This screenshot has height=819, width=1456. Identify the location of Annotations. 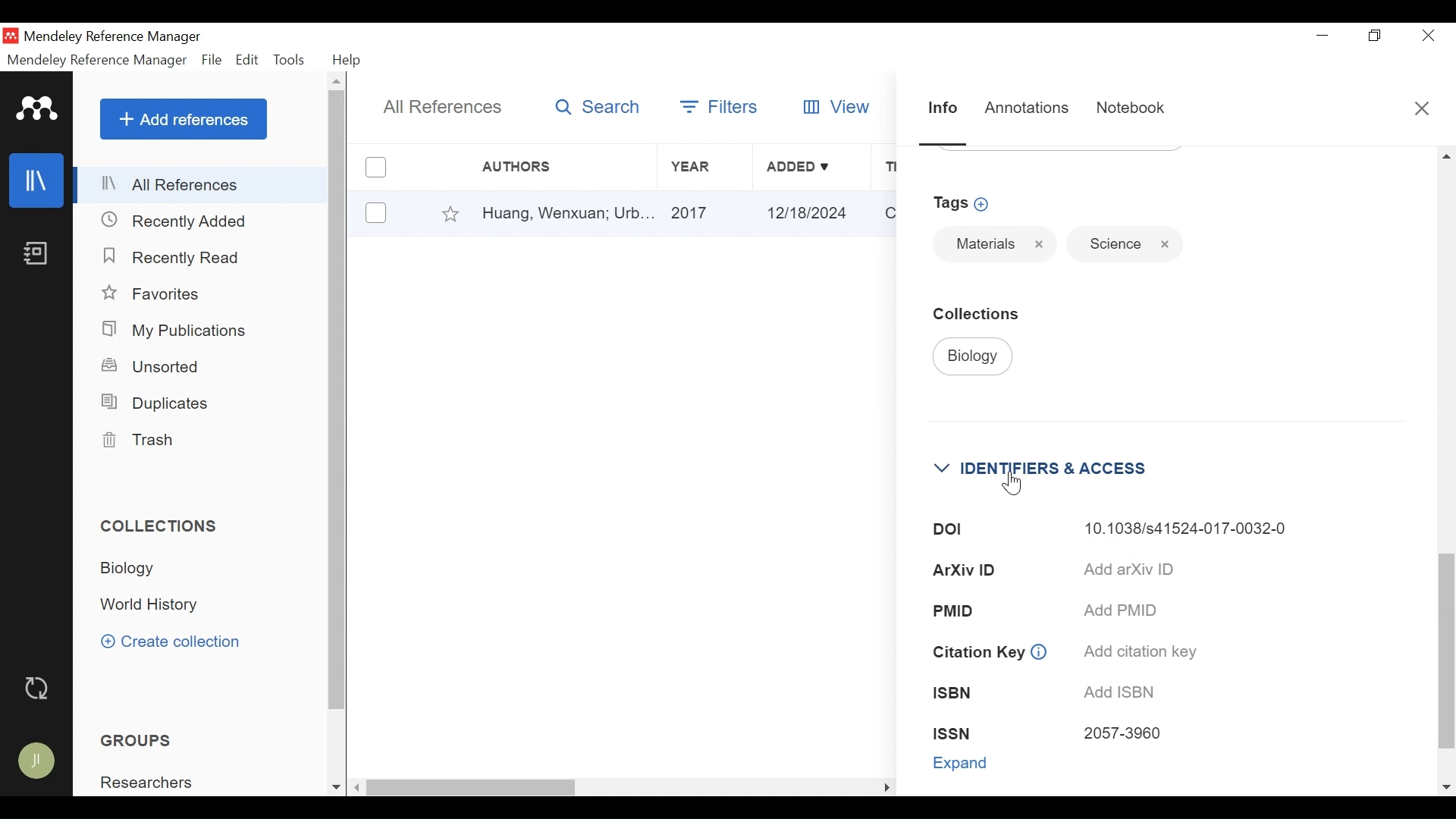
(1026, 108).